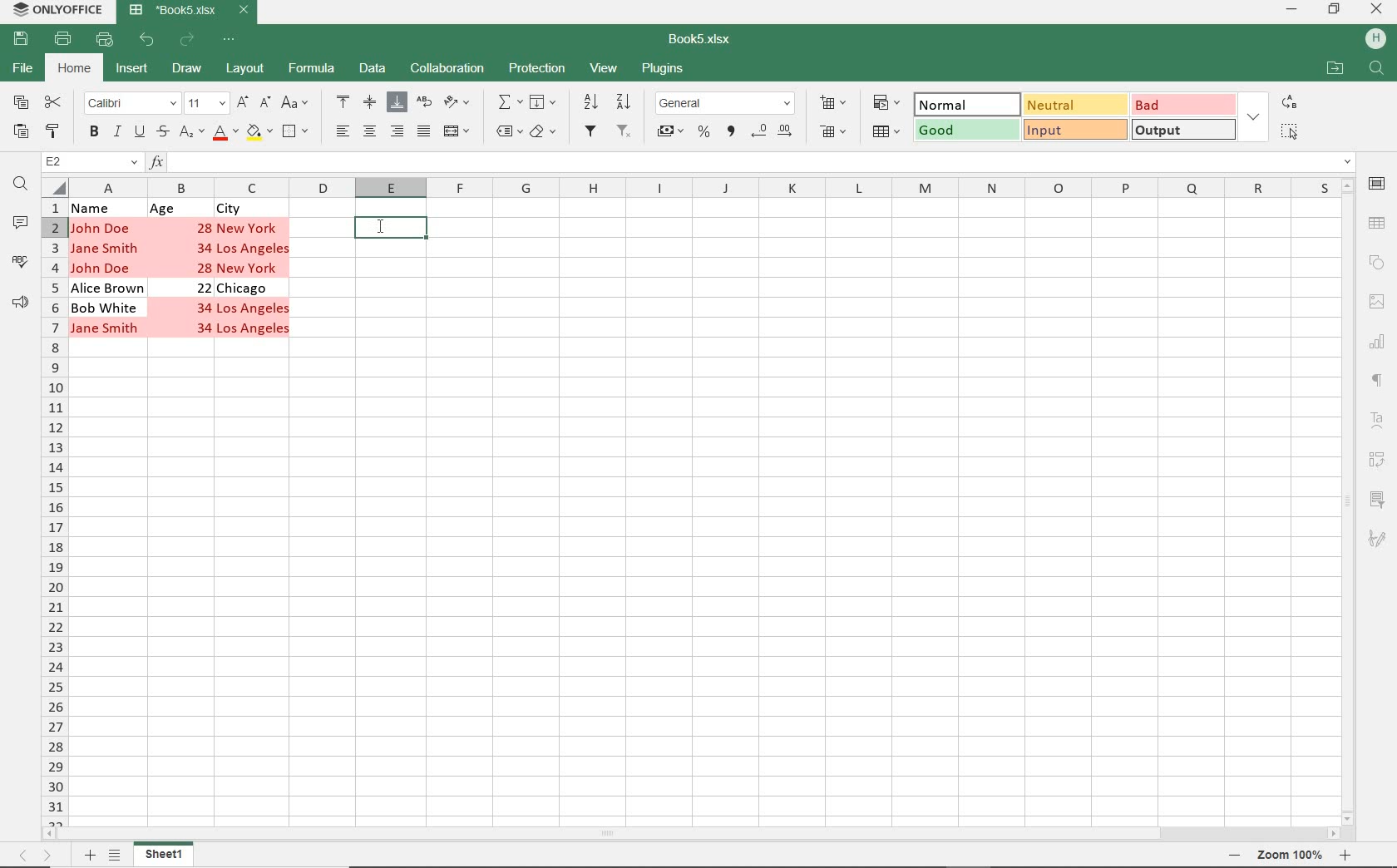 Image resolution: width=1397 pixels, height=868 pixels. I want to click on New York, so click(254, 268).